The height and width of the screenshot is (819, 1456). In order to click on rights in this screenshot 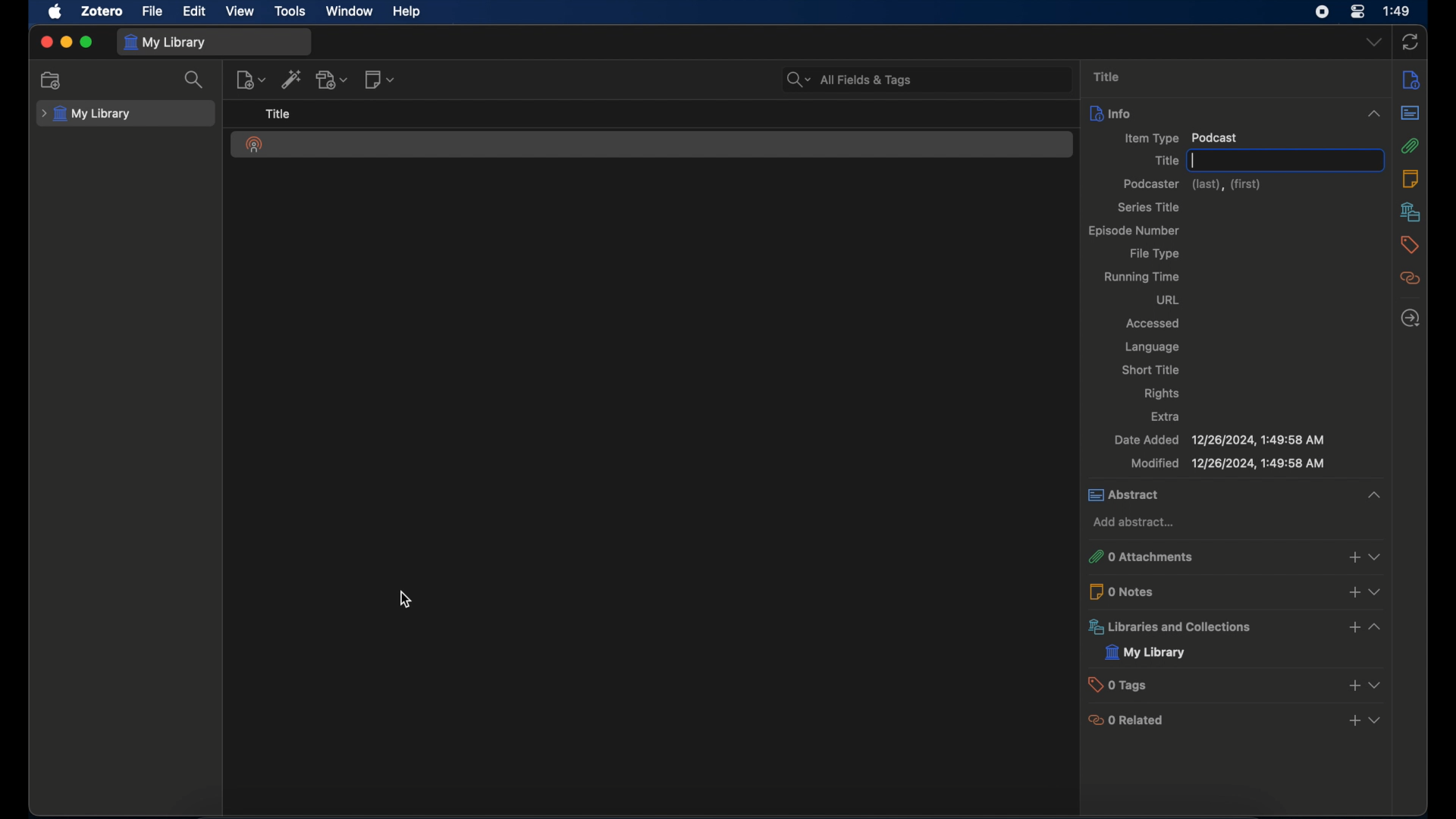, I will do `click(1164, 393)`.